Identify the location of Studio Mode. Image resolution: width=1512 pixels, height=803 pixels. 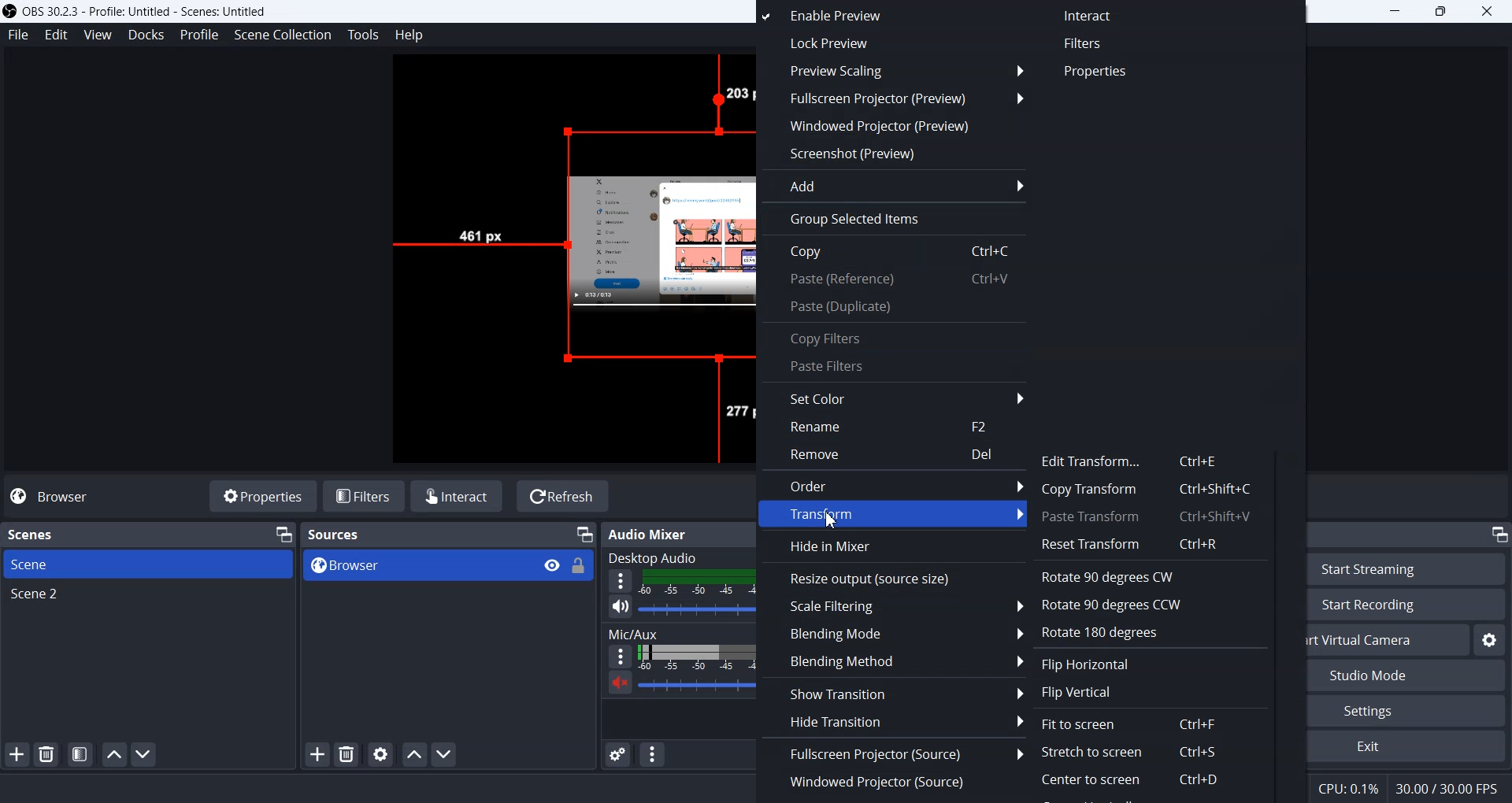
(1399, 674).